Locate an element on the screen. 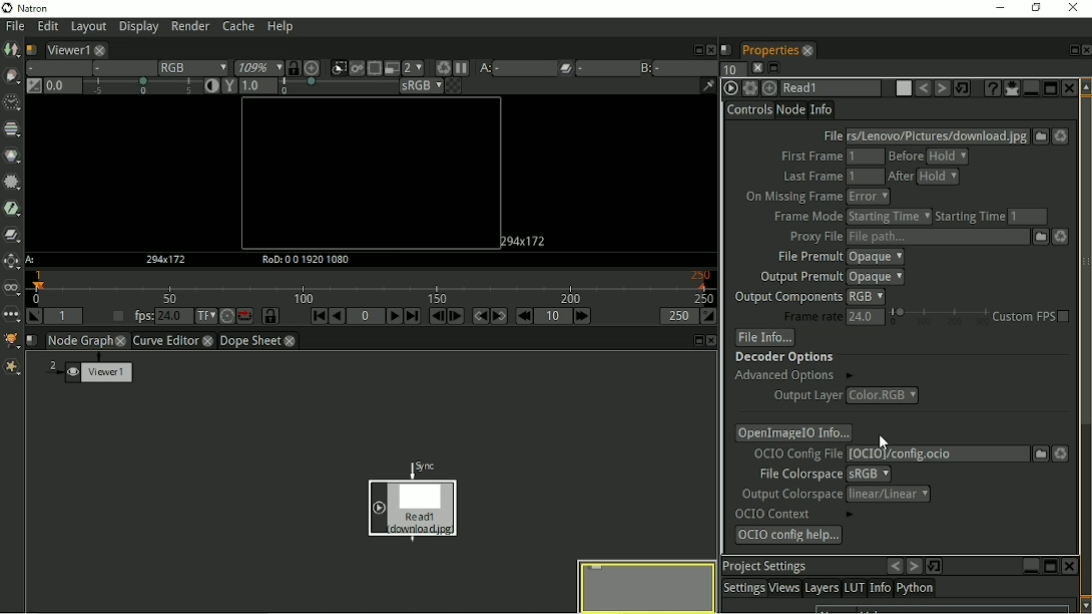 Image resolution: width=1092 pixels, height=614 pixels. Frame mode is located at coordinates (850, 217).